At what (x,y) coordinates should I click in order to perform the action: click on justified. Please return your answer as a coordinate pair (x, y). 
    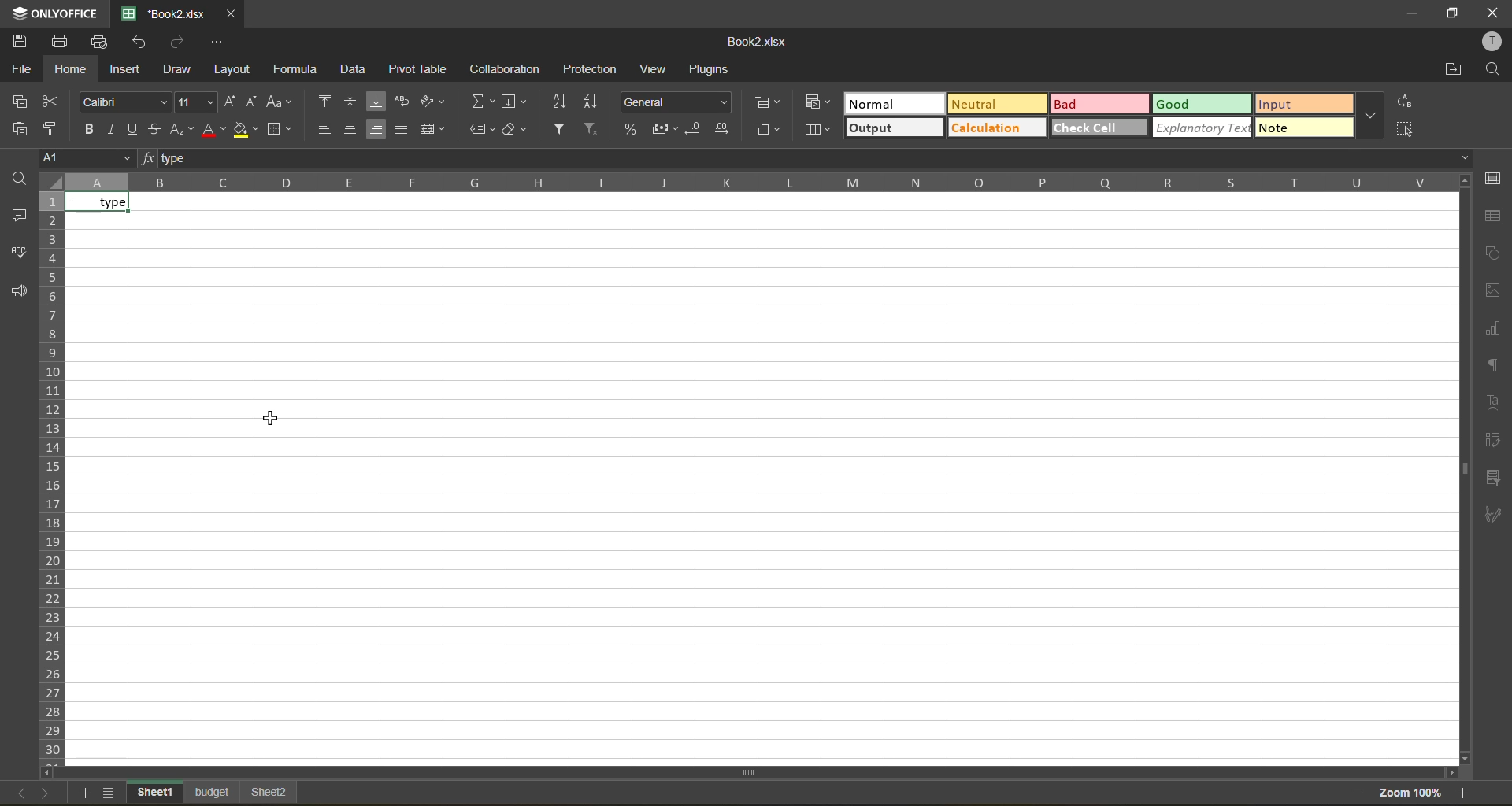
    Looking at the image, I should click on (404, 127).